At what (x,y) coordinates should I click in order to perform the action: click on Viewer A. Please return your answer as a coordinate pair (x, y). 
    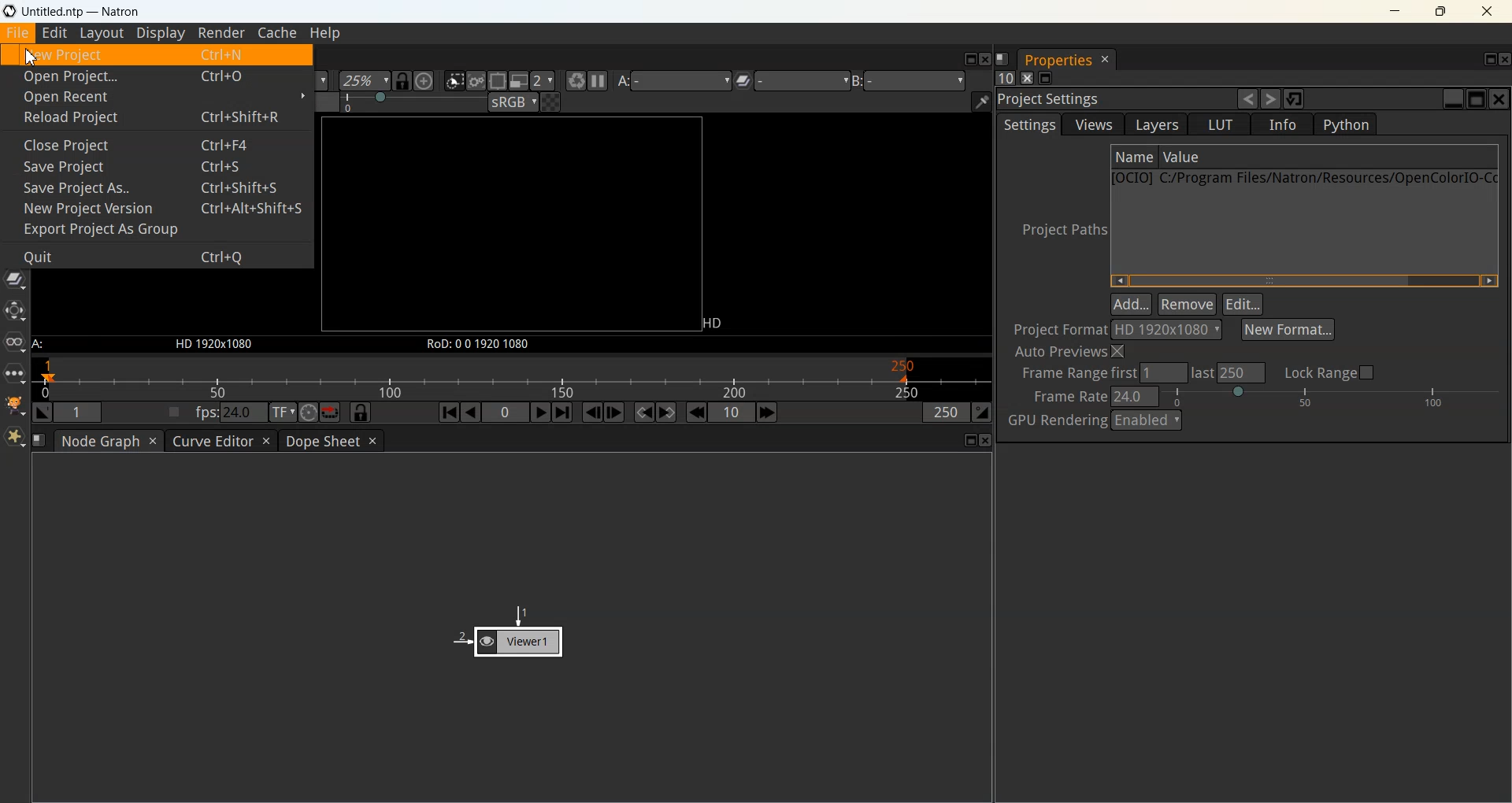
    Looking at the image, I should click on (677, 80).